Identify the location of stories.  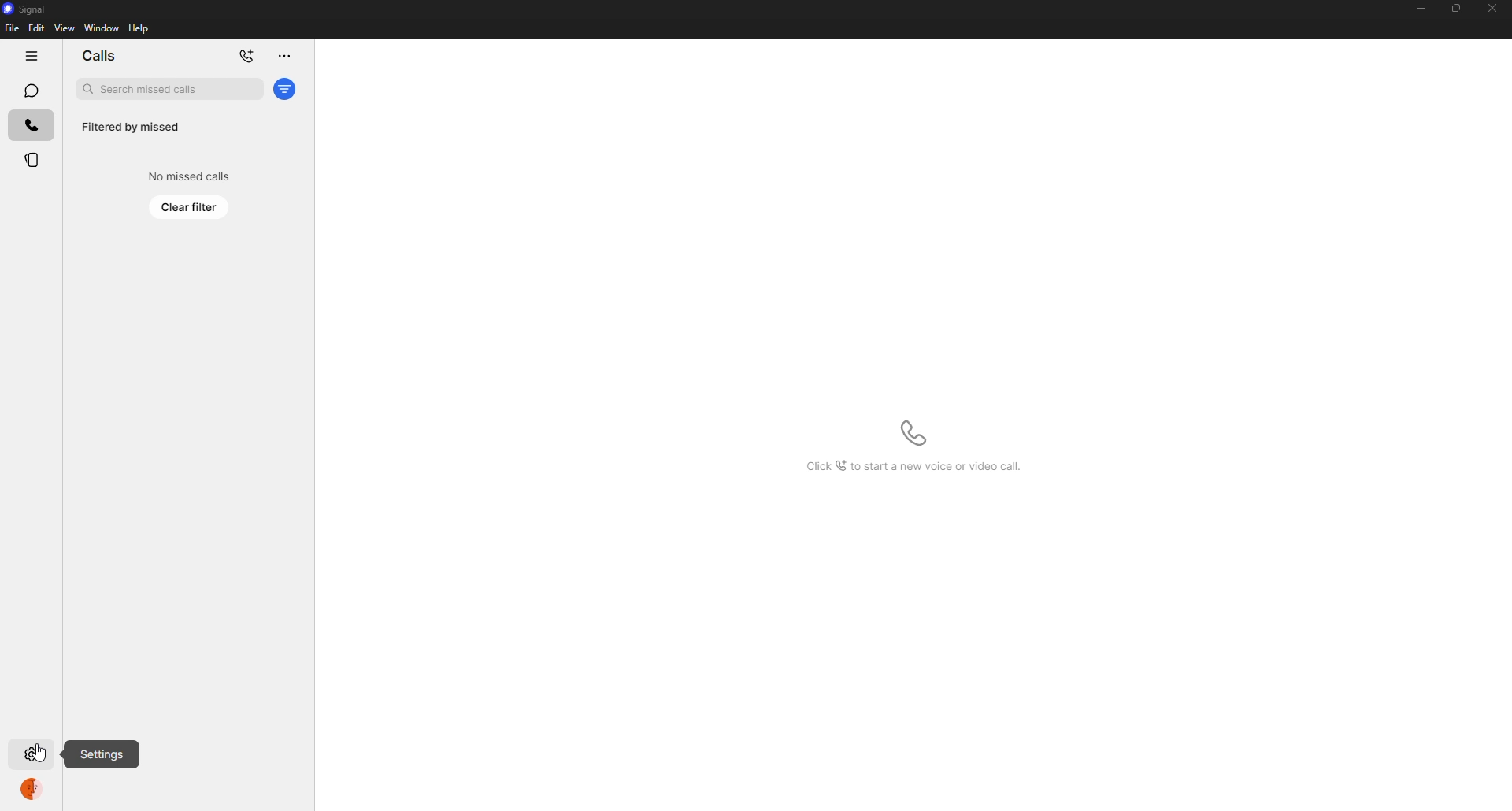
(31, 161).